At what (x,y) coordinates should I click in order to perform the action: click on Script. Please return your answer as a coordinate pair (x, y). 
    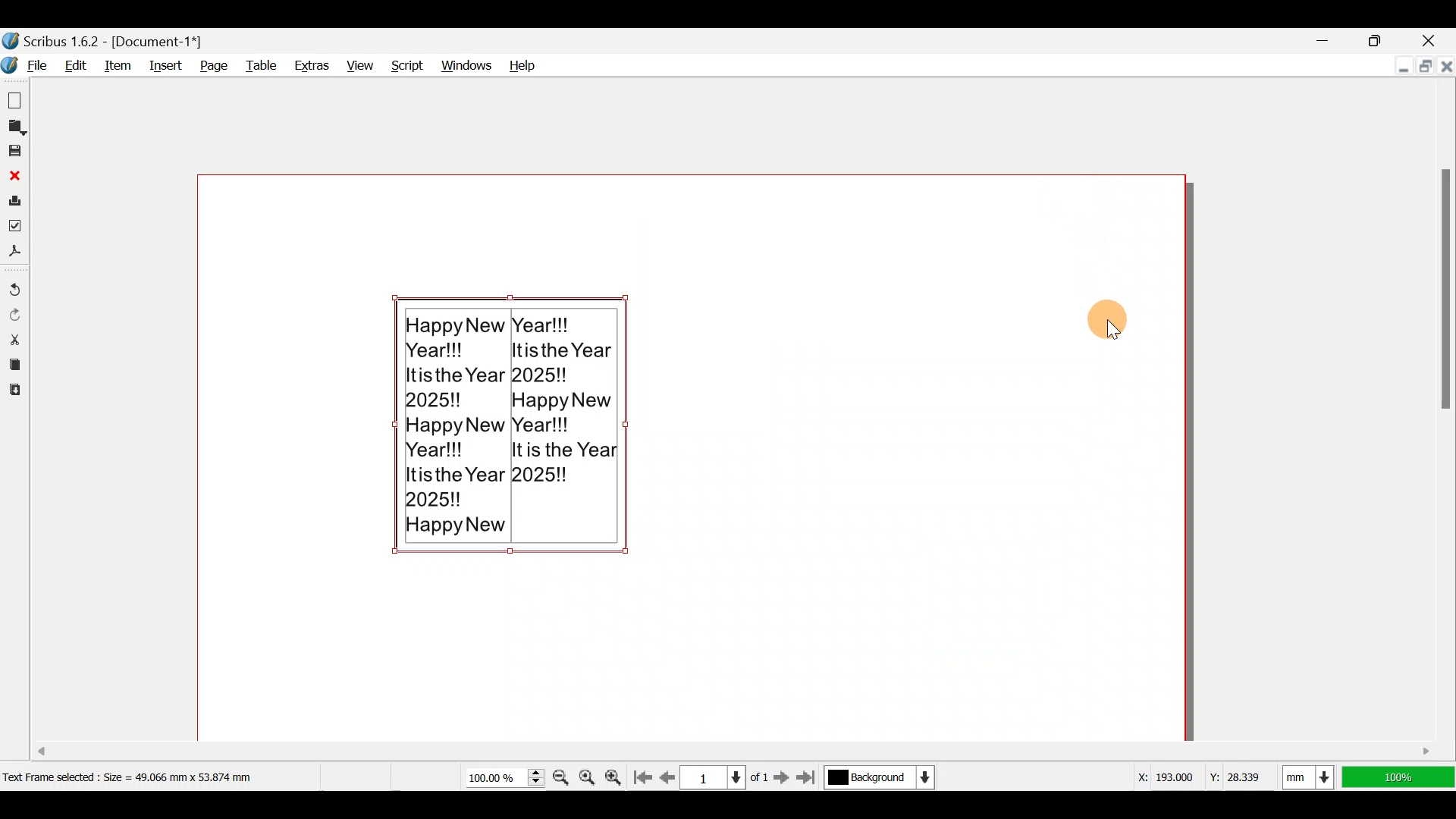
    Looking at the image, I should click on (405, 61).